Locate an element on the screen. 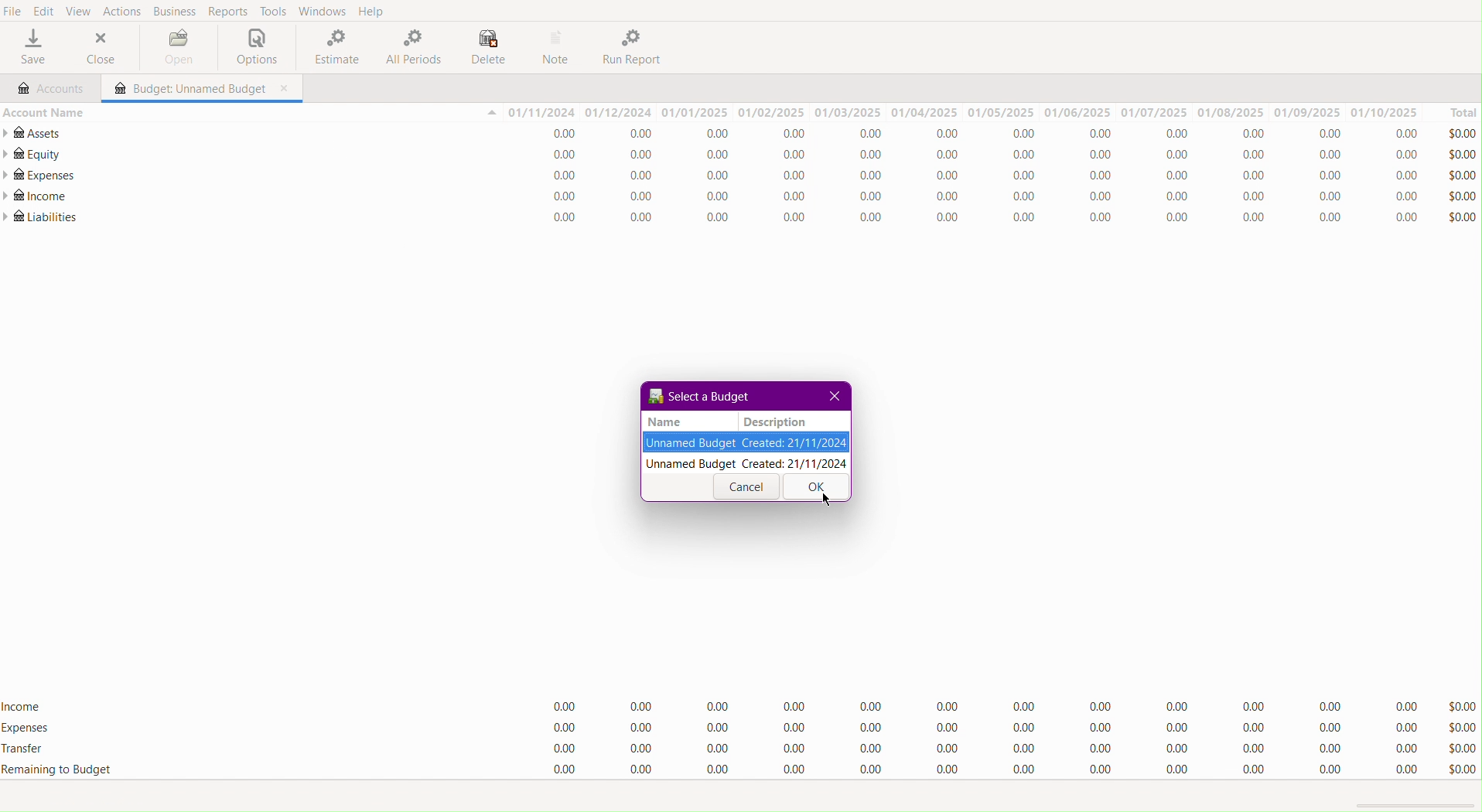 Image resolution: width=1482 pixels, height=812 pixels. Remaining to Budget is located at coordinates (984, 770).